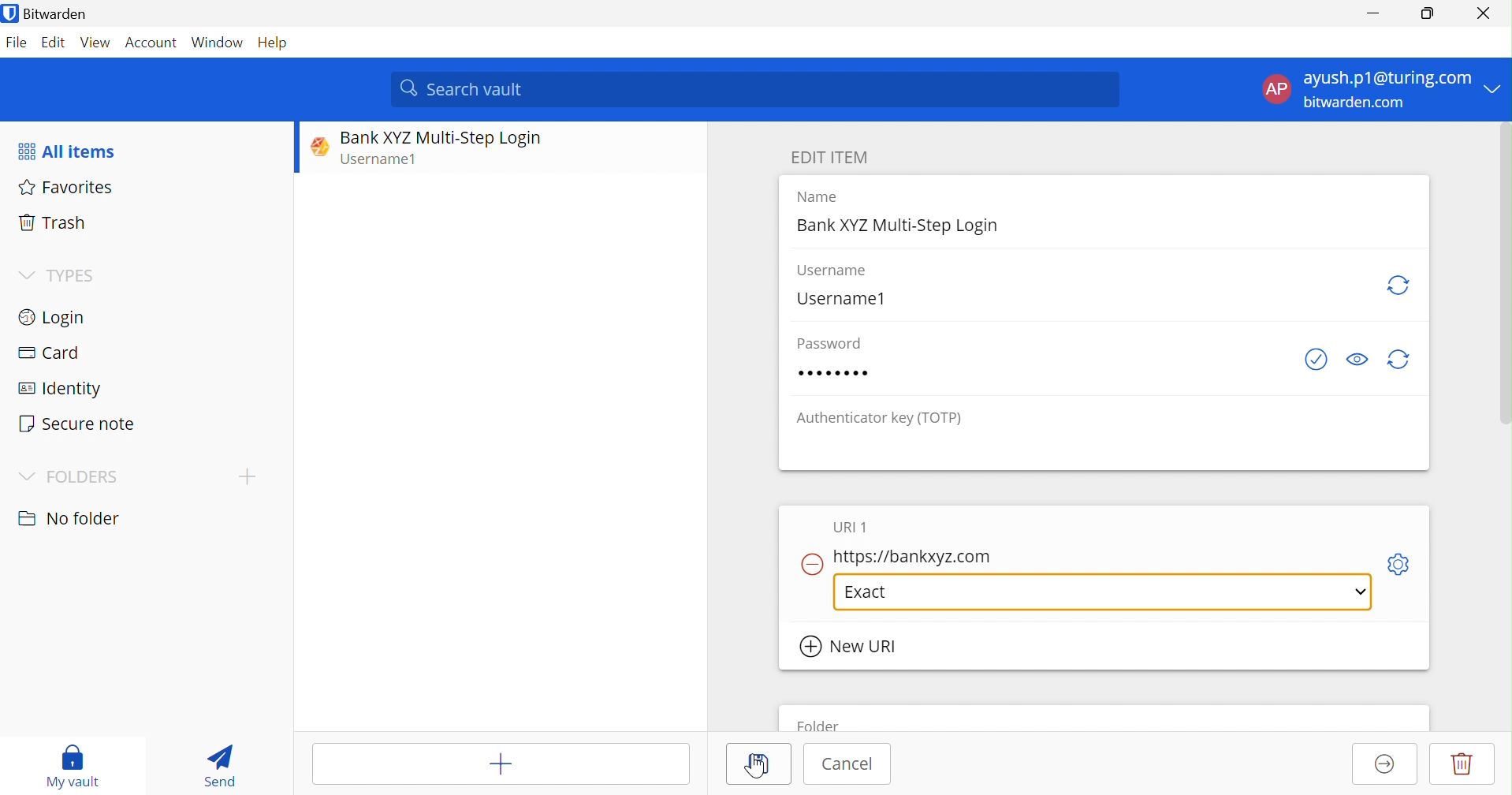 The width and height of the screenshot is (1512, 795). What do you see at coordinates (25, 274) in the screenshot?
I see `Drop Down` at bounding box center [25, 274].